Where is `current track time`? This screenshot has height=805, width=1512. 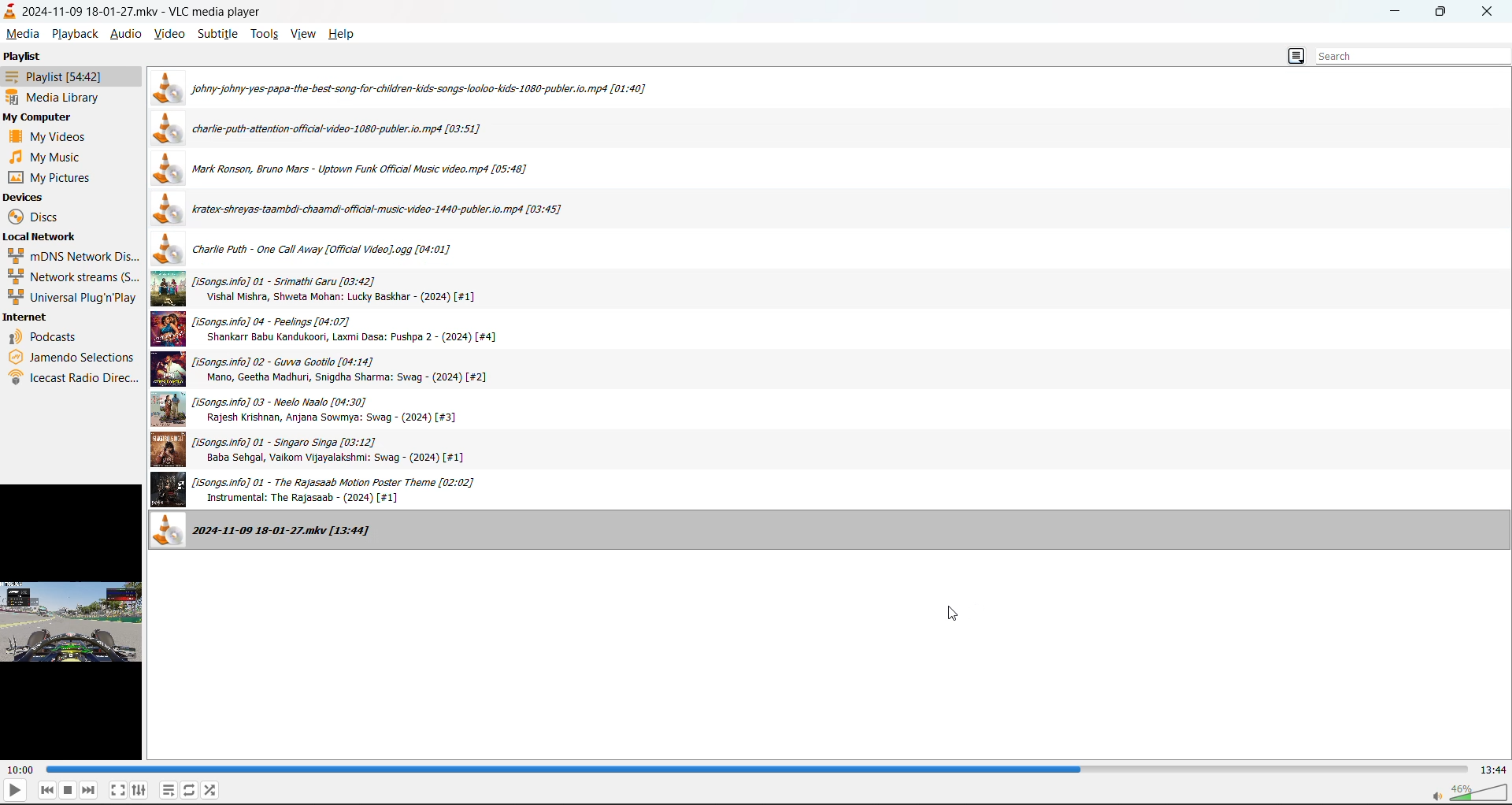 current track time is located at coordinates (20, 770).